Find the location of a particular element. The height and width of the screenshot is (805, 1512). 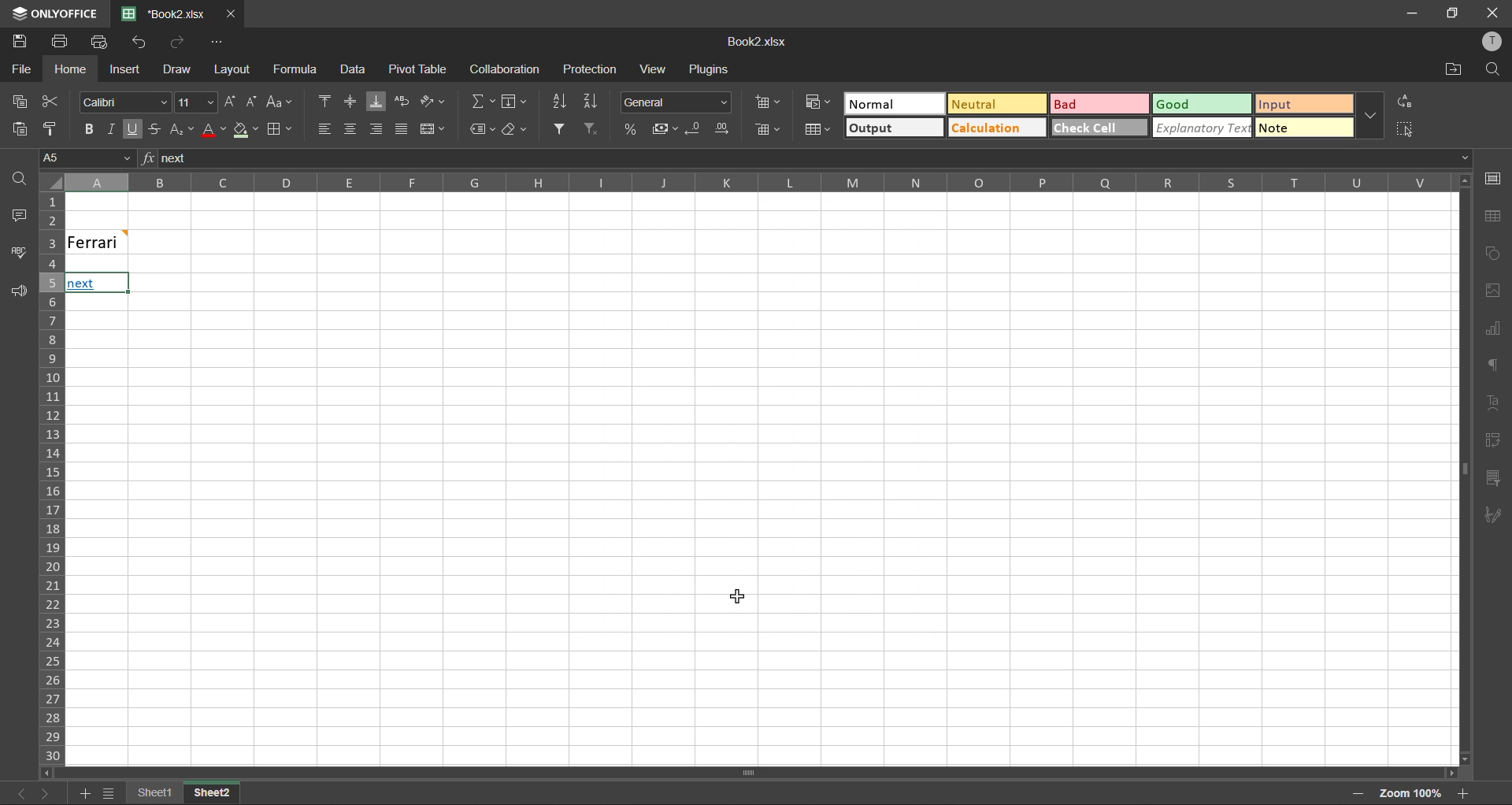

collaboration is located at coordinates (506, 69).